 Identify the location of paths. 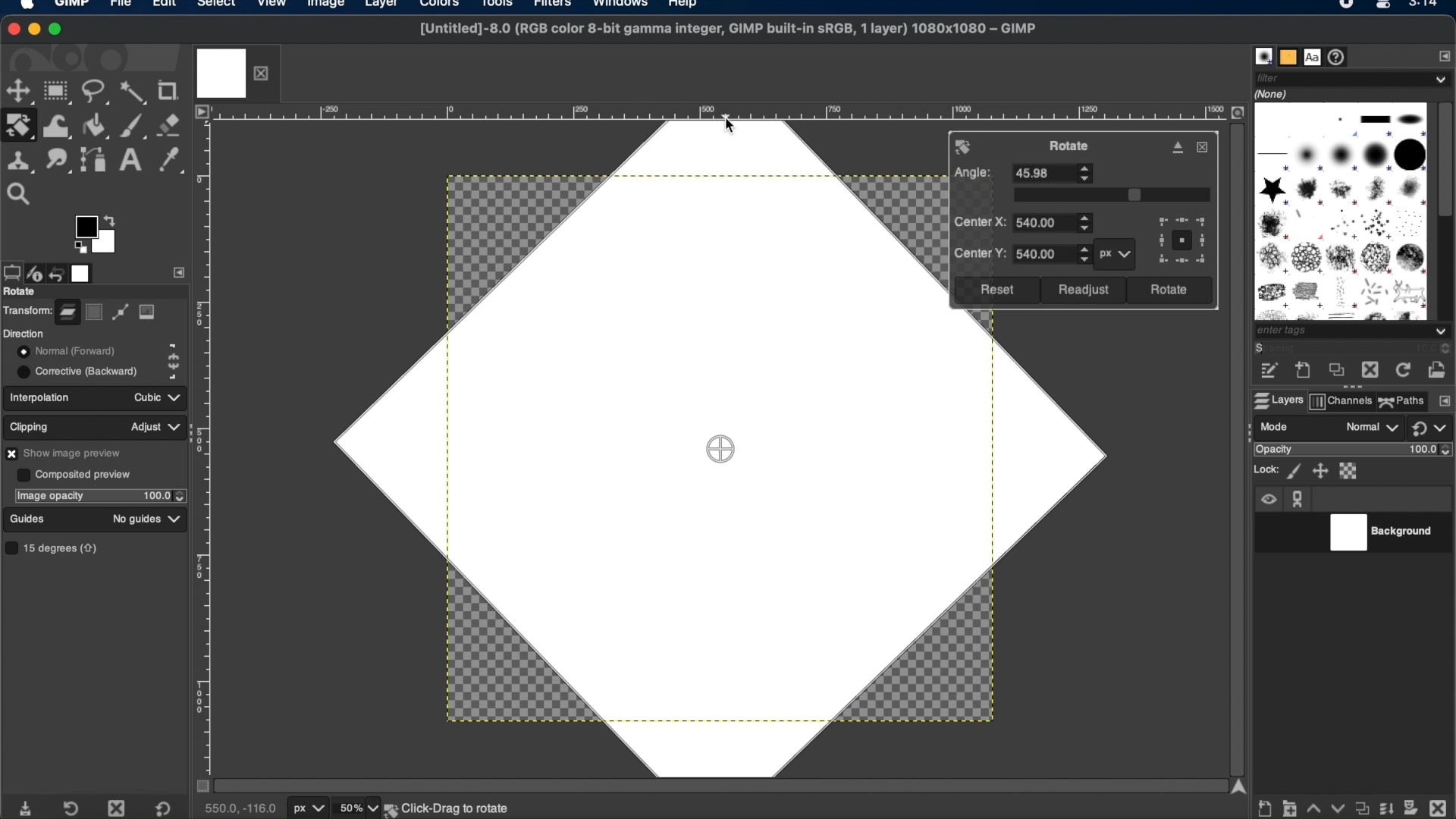
(1402, 400).